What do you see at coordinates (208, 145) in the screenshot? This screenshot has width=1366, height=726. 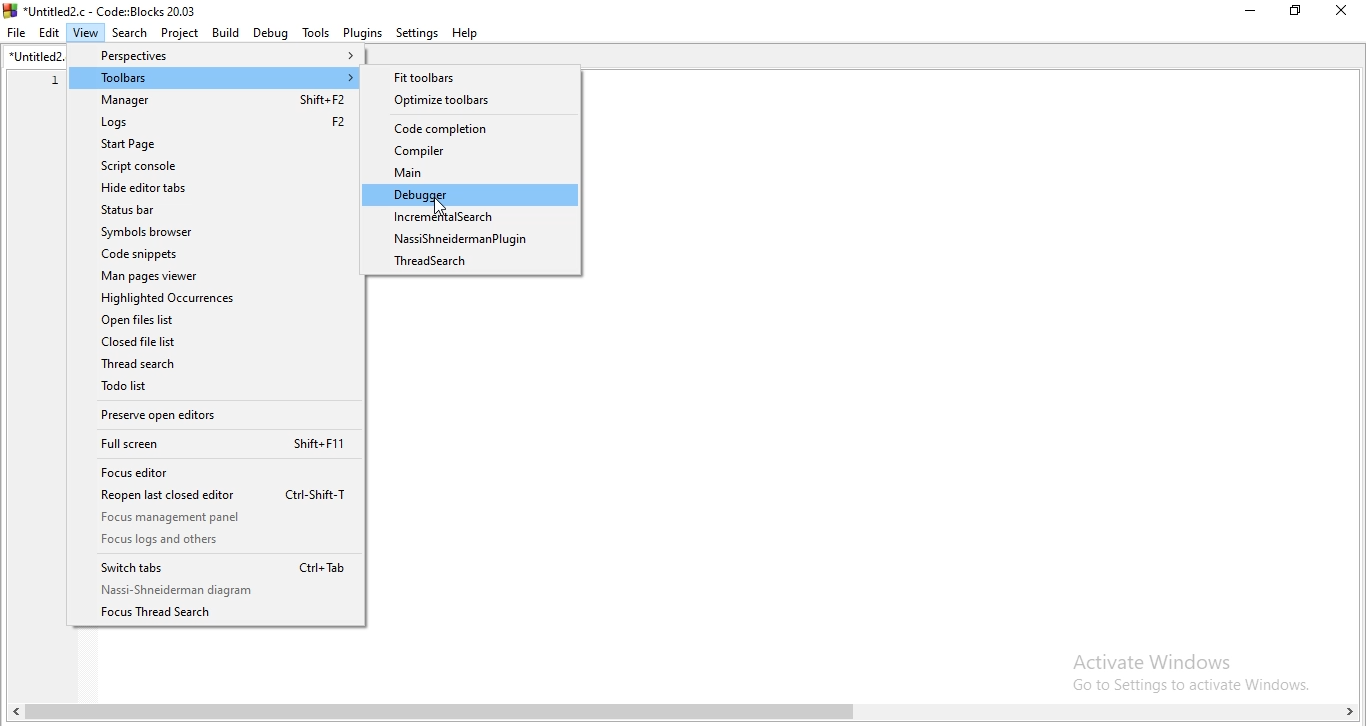 I see `Start Page` at bounding box center [208, 145].